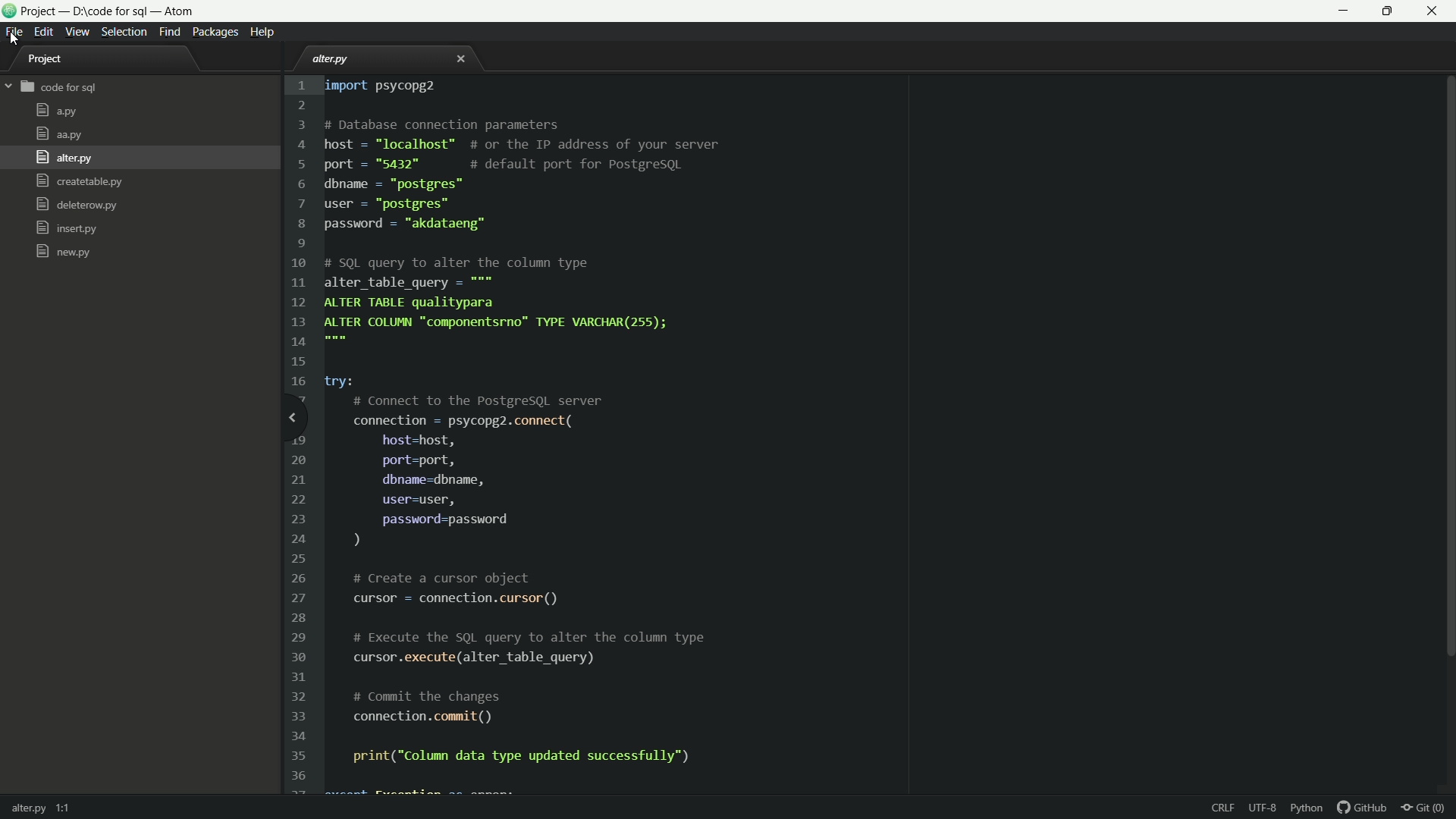 This screenshot has width=1456, height=819. What do you see at coordinates (13, 32) in the screenshot?
I see `file menu` at bounding box center [13, 32].